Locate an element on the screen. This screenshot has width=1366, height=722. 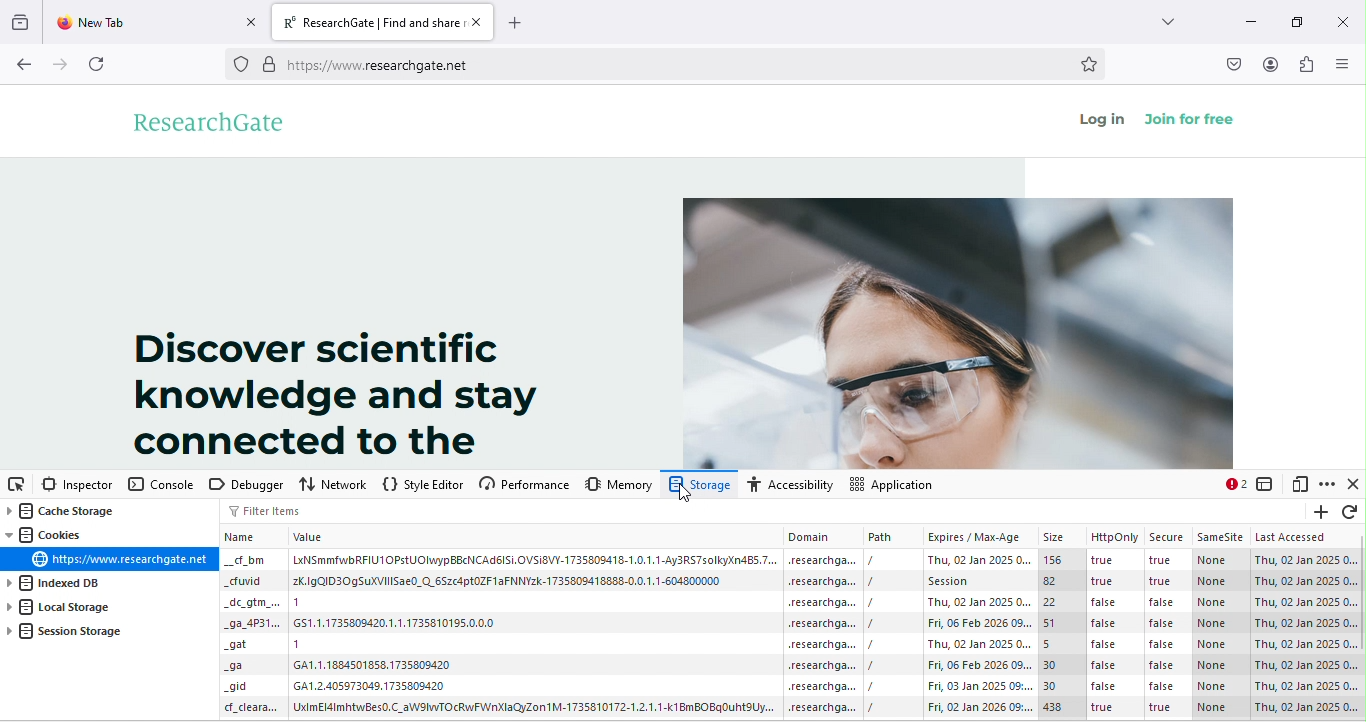
/ is located at coordinates (873, 709).